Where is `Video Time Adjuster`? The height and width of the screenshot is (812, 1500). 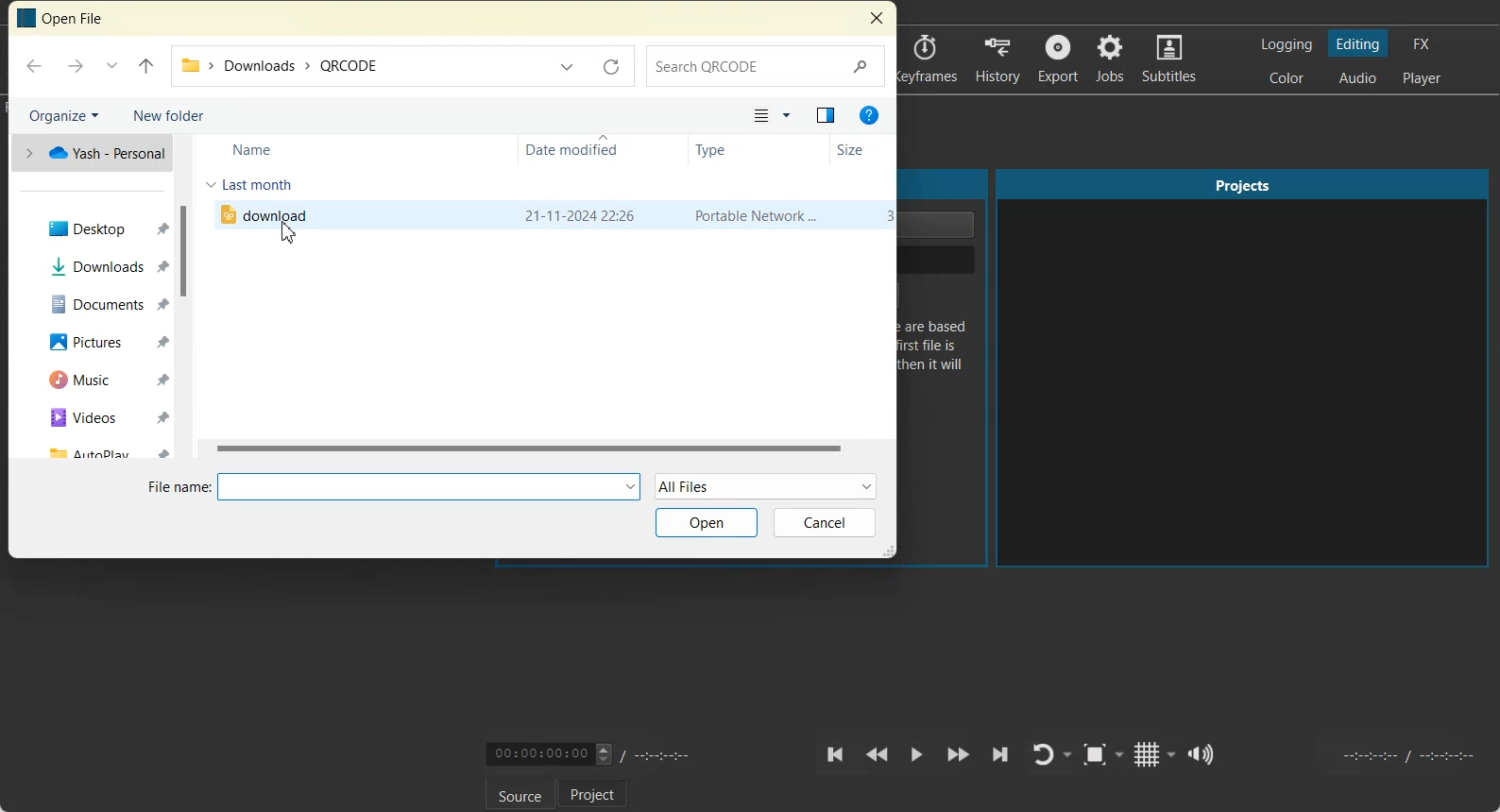
Video Time Adjuster is located at coordinates (549, 753).